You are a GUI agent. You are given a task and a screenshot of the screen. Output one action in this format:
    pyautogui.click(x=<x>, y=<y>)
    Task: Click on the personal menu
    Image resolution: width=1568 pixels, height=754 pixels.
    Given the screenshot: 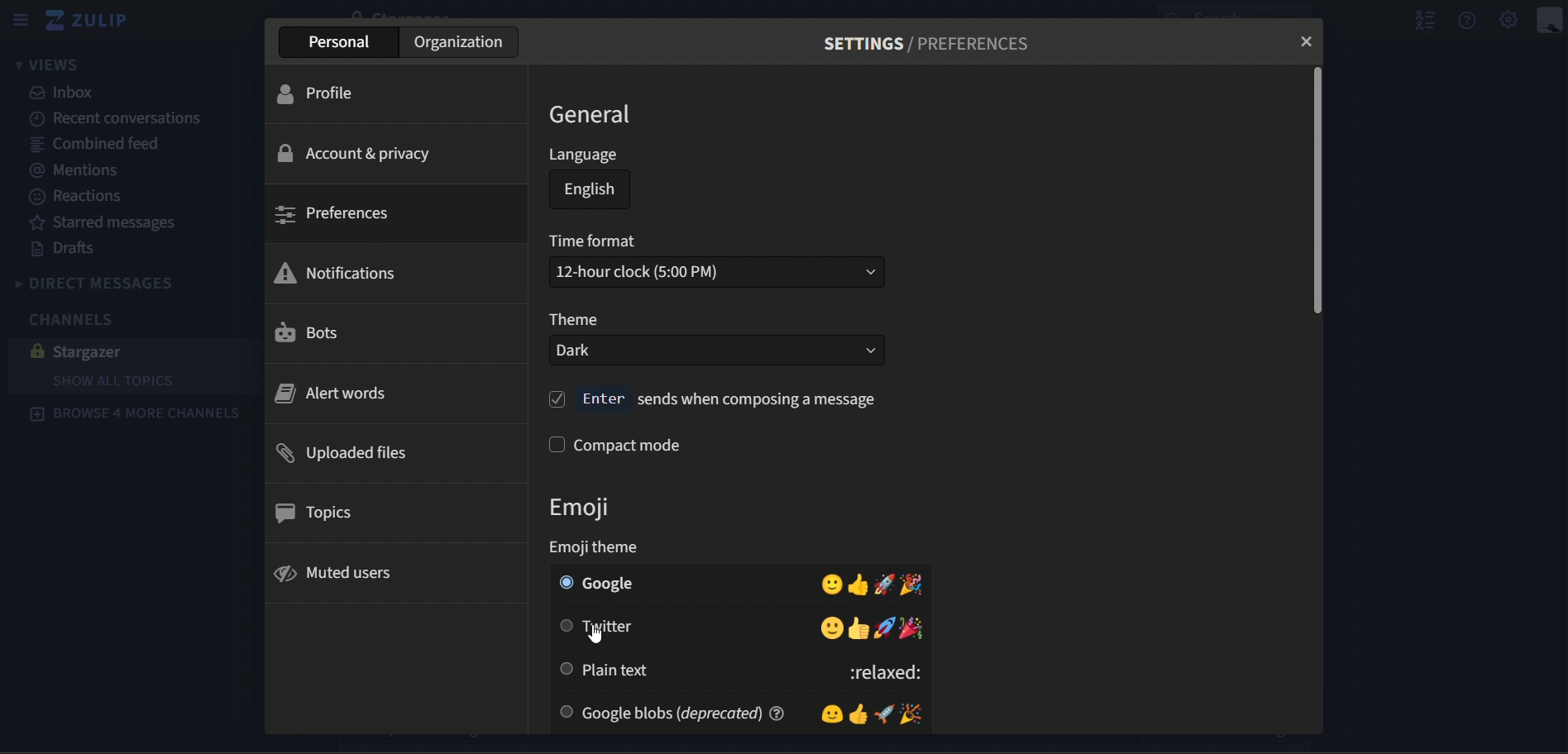 What is the action you would take?
    pyautogui.click(x=1548, y=19)
    